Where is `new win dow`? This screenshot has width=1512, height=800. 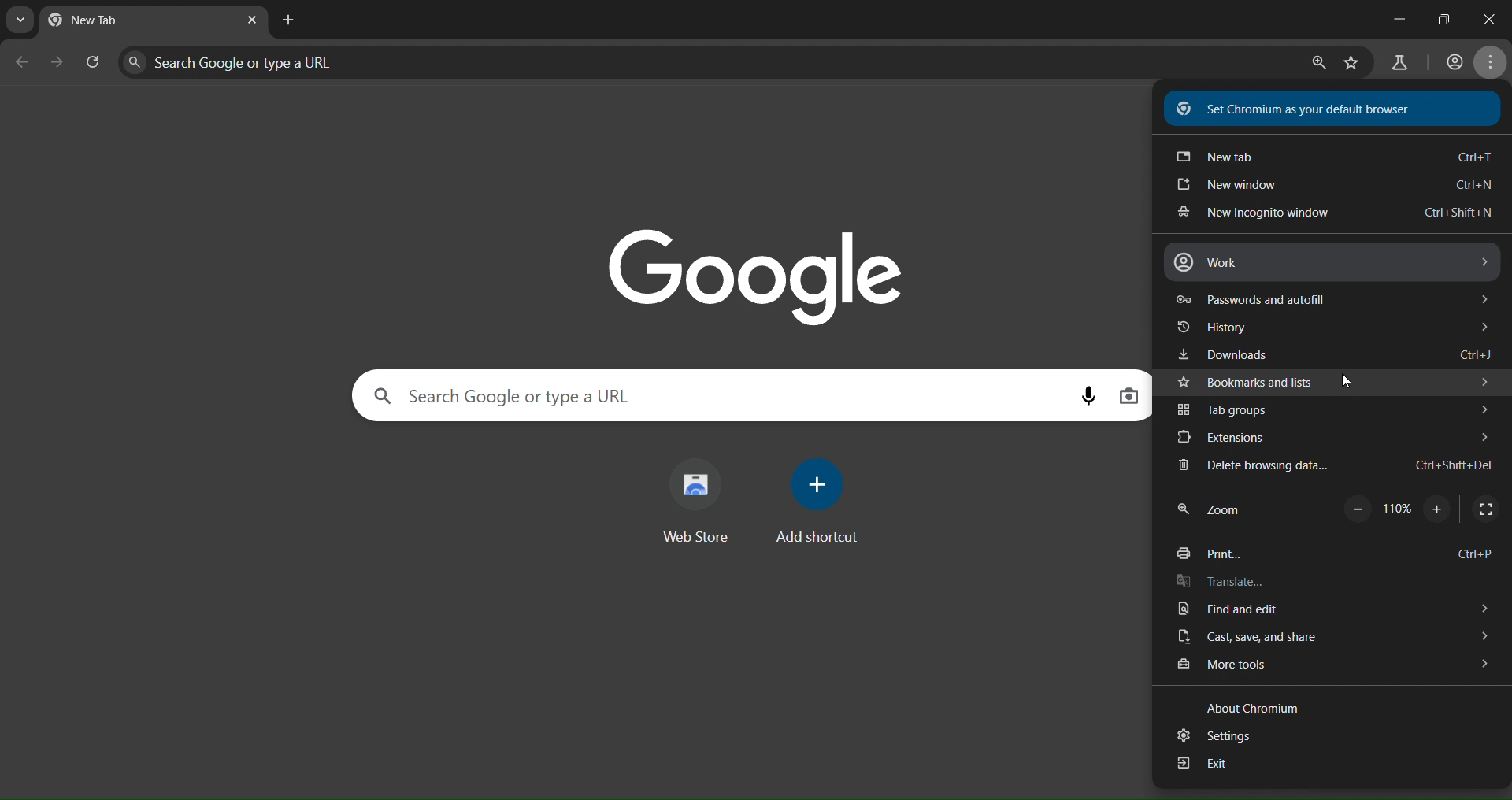 new win dow is located at coordinates (1333, 184).